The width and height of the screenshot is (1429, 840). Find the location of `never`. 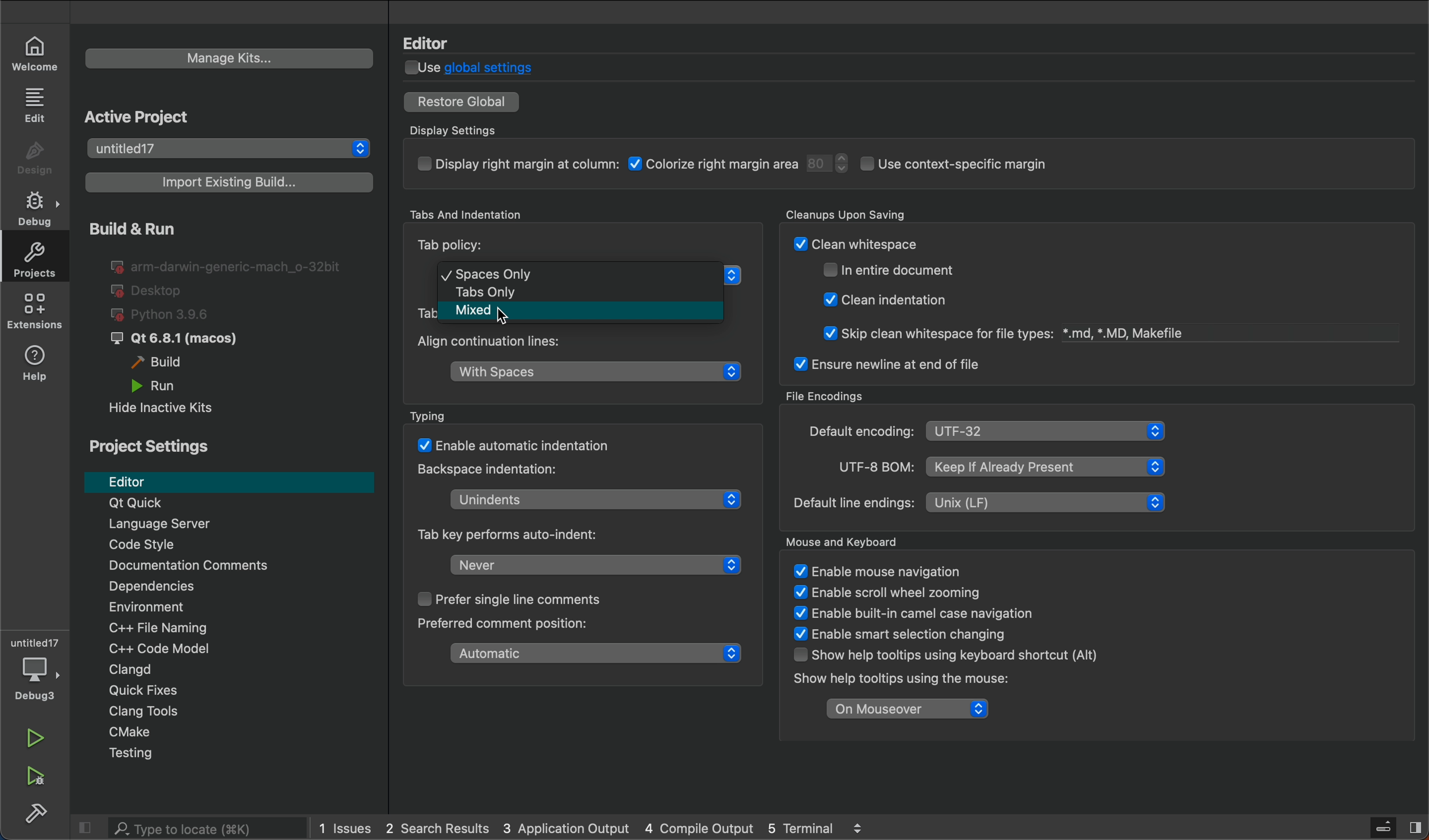

never is located at coordinates (587, 565).